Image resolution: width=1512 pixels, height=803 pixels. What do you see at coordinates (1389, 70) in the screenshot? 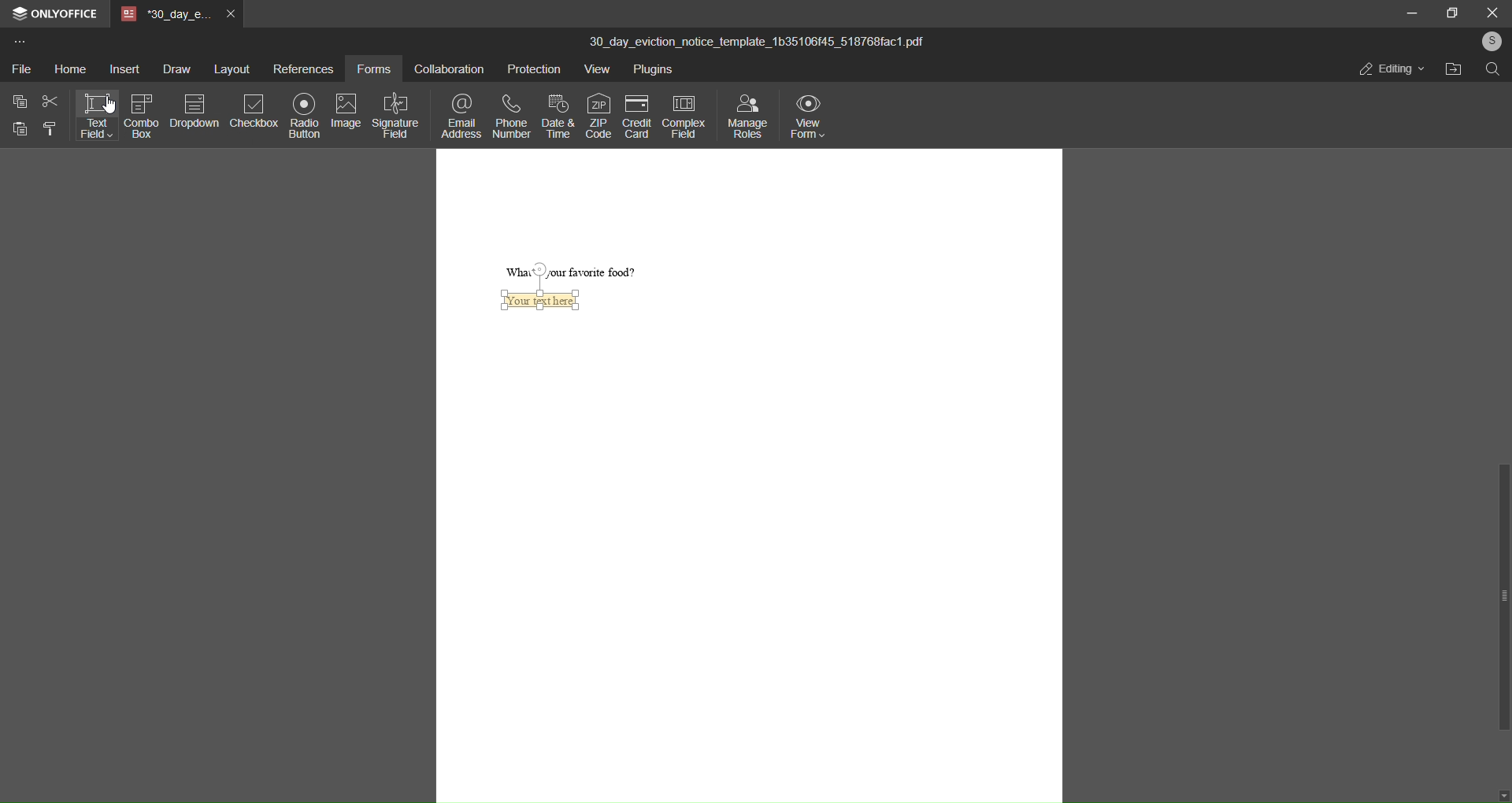
I see `editing` at bounding box center [1389, 70].